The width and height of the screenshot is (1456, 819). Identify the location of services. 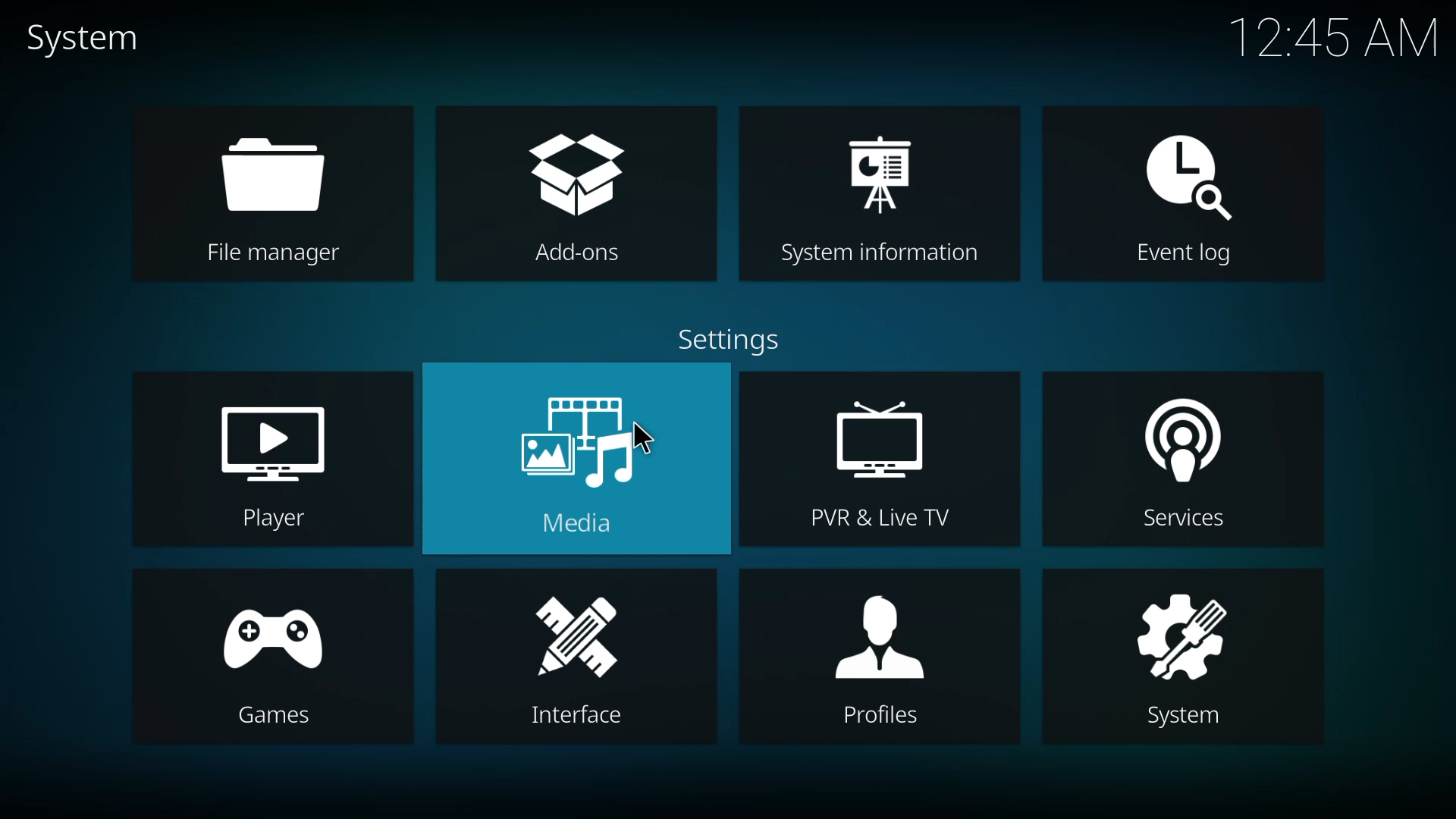
(1180, 461).